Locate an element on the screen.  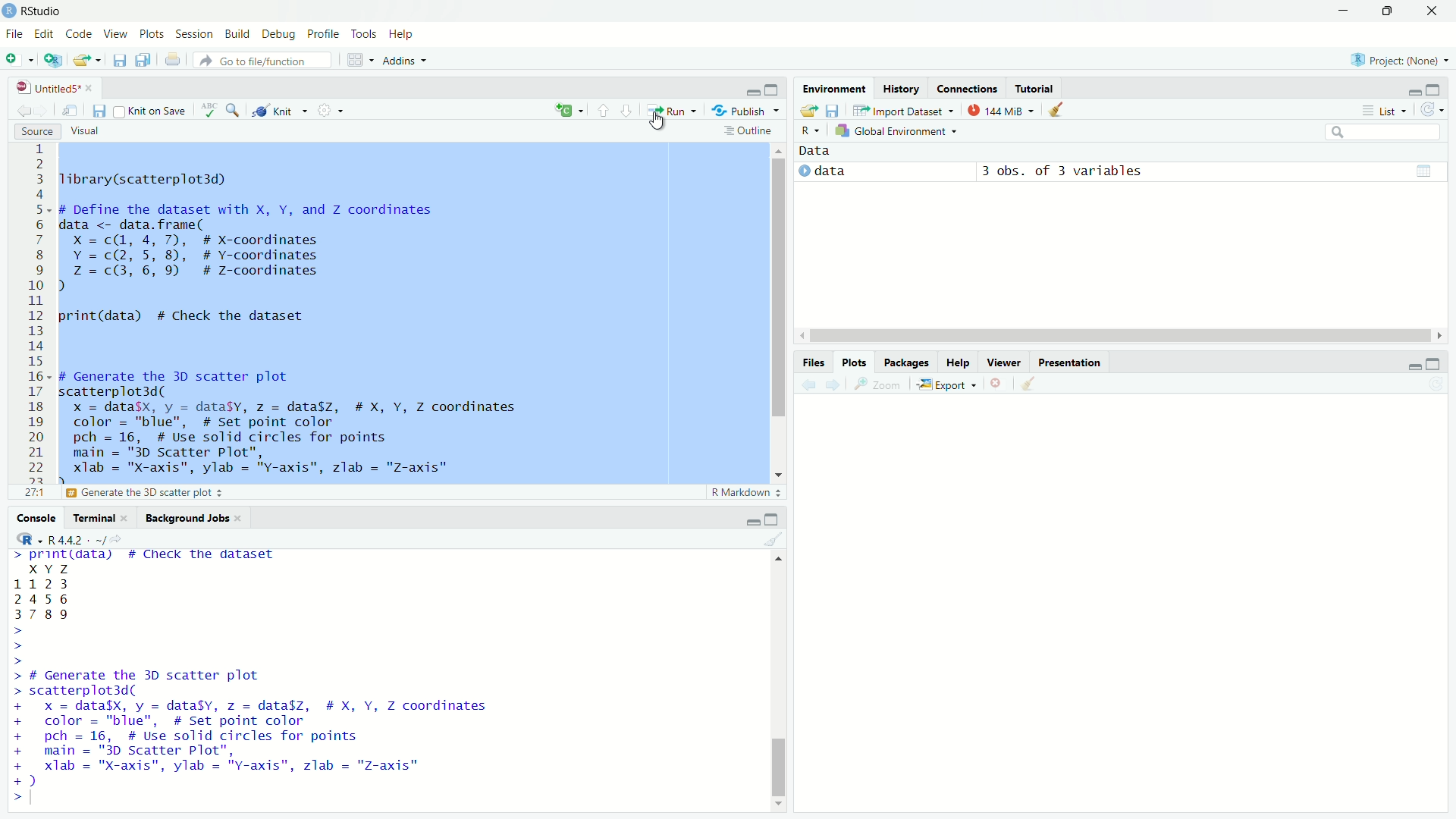
close is located at coordinates (241, 519).